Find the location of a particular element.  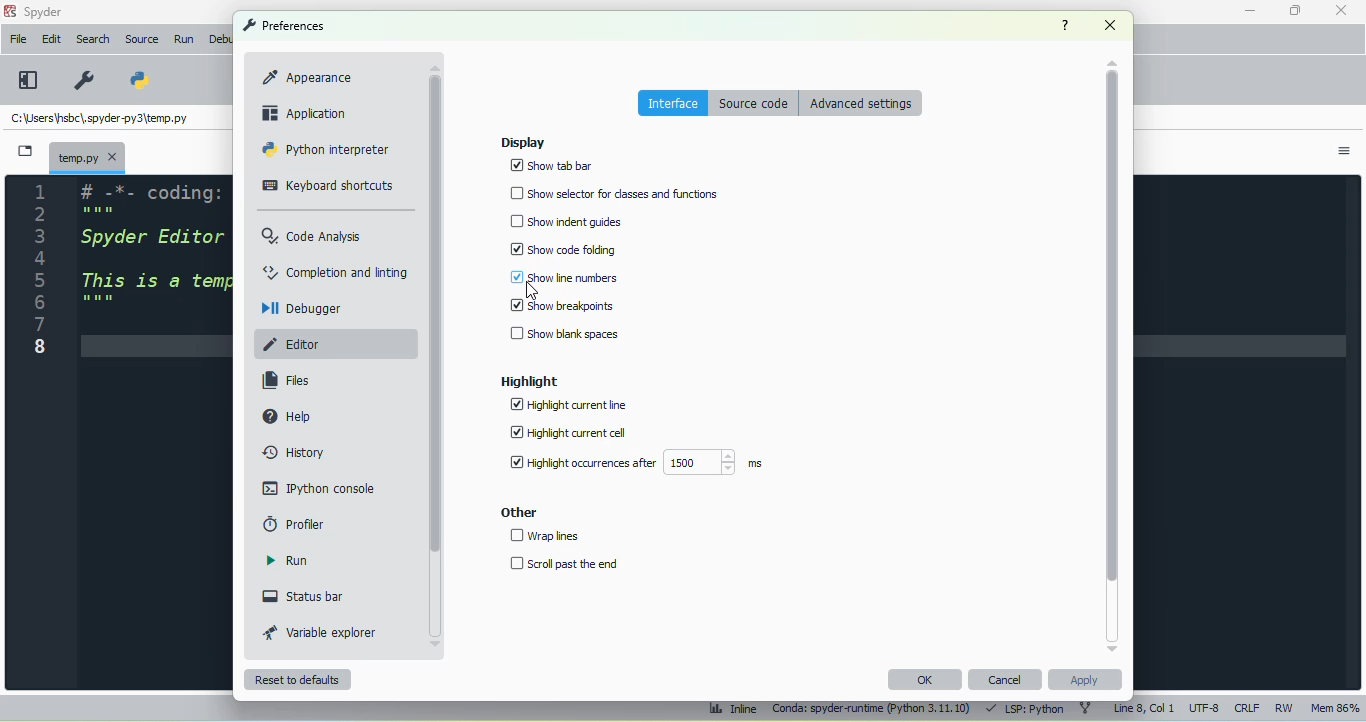

show blank spaces is located at coordinates (564, 334).